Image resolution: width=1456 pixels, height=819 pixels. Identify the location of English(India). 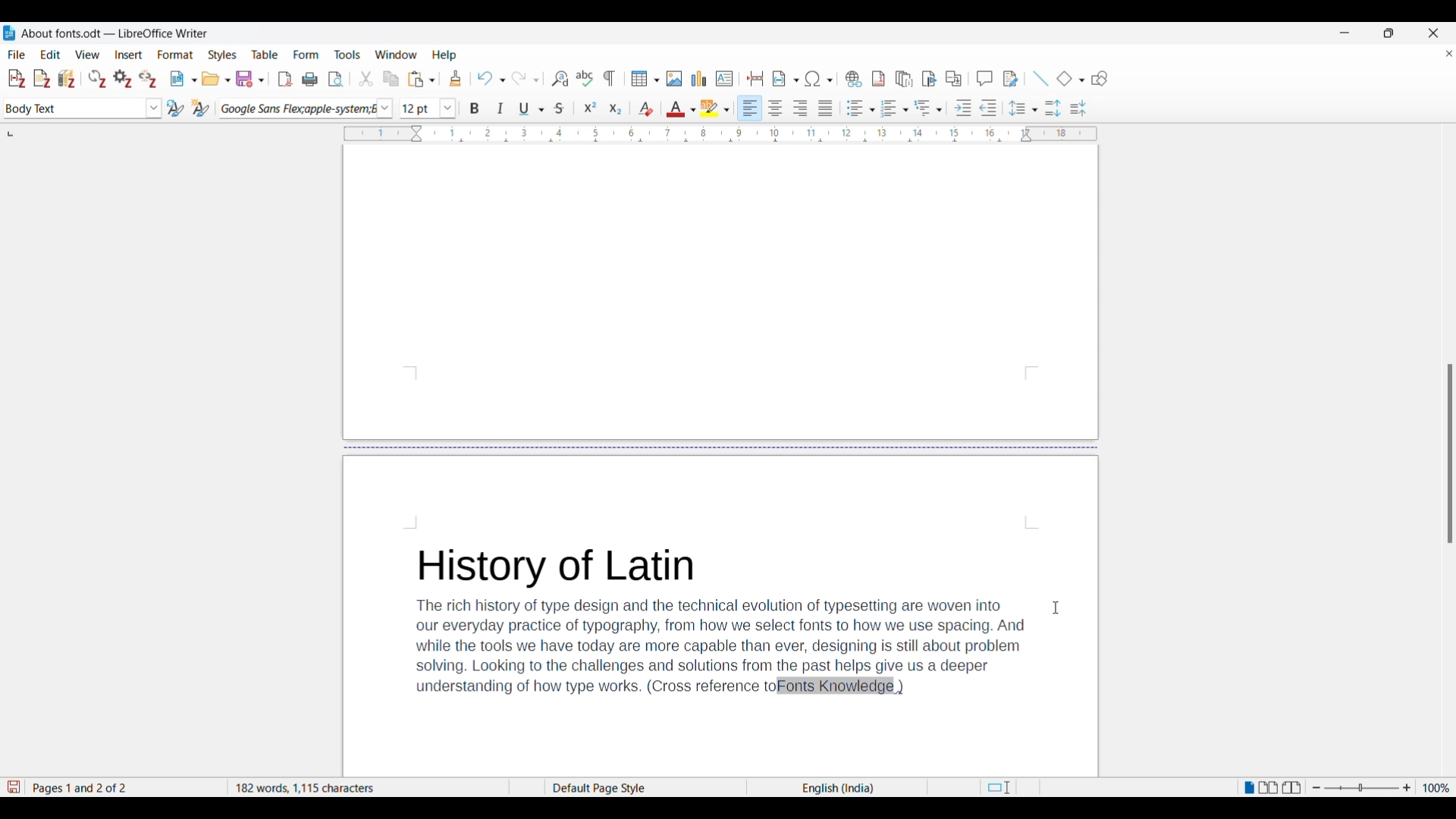
(825, 788).